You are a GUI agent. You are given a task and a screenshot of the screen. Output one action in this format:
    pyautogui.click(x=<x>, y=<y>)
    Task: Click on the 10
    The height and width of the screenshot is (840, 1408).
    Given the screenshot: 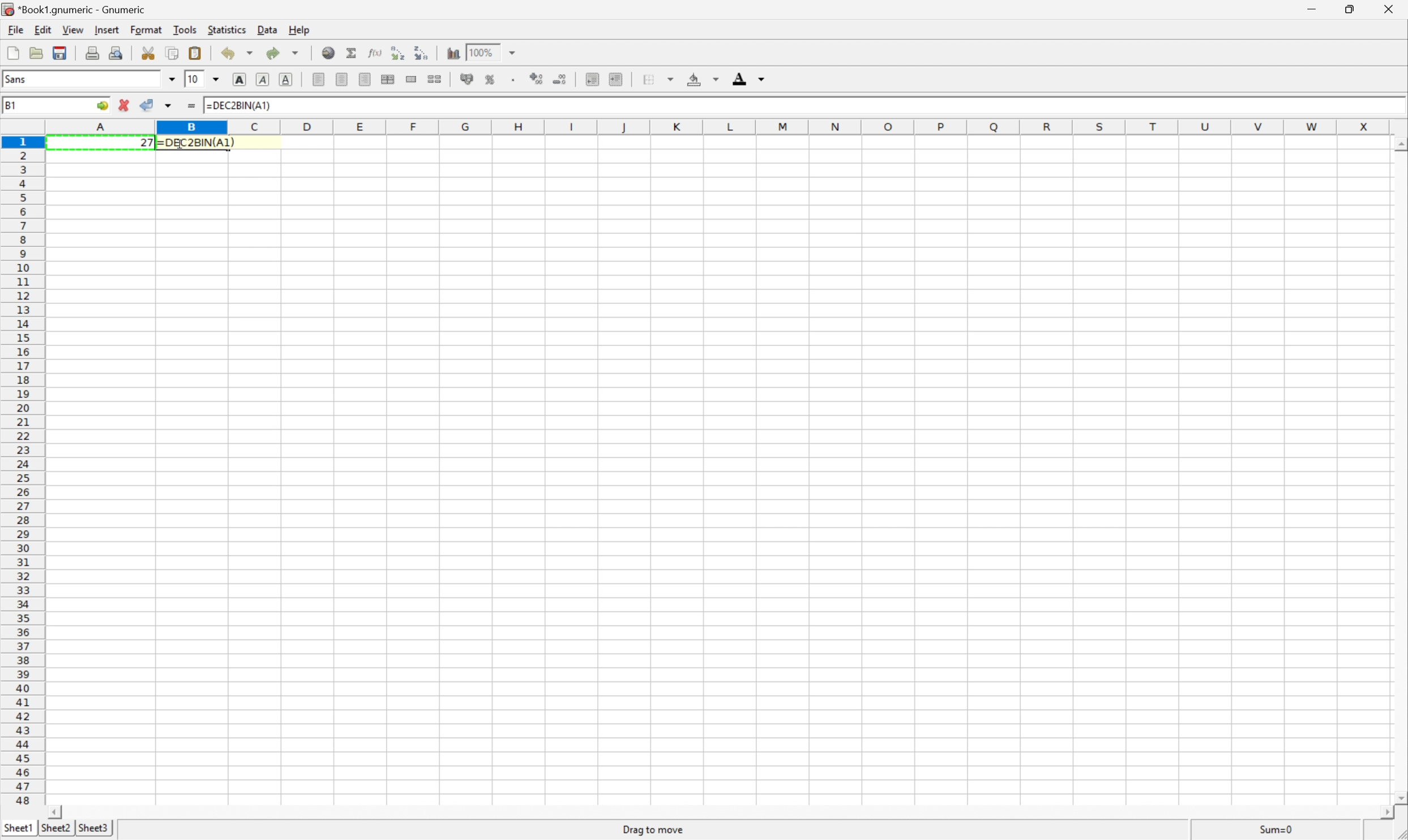 What is the action you would take?
    pyautogui.click(x=194, y=79)
    